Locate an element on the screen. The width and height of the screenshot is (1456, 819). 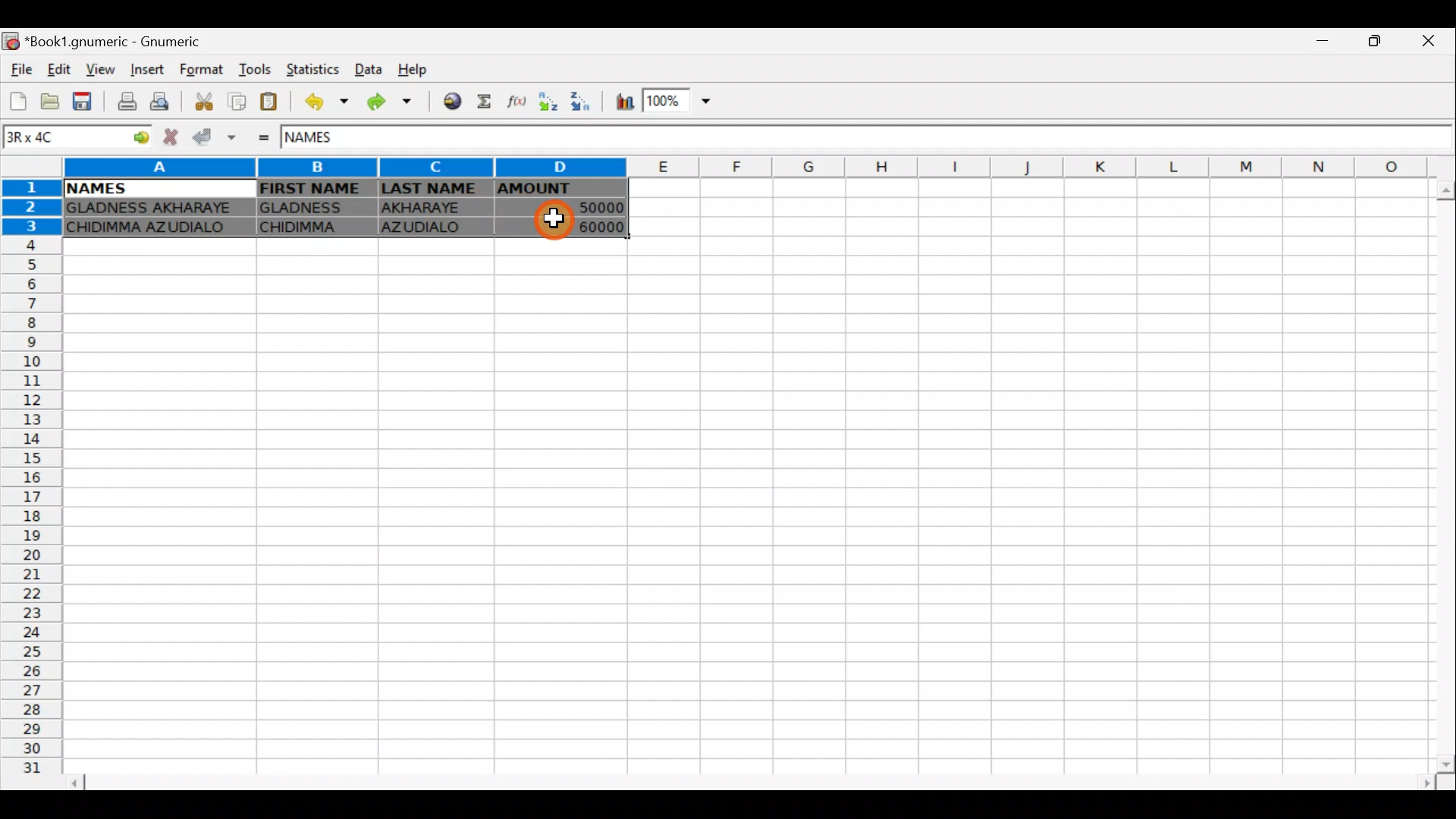
Sort Descending order is located at coordinates (579, 101).